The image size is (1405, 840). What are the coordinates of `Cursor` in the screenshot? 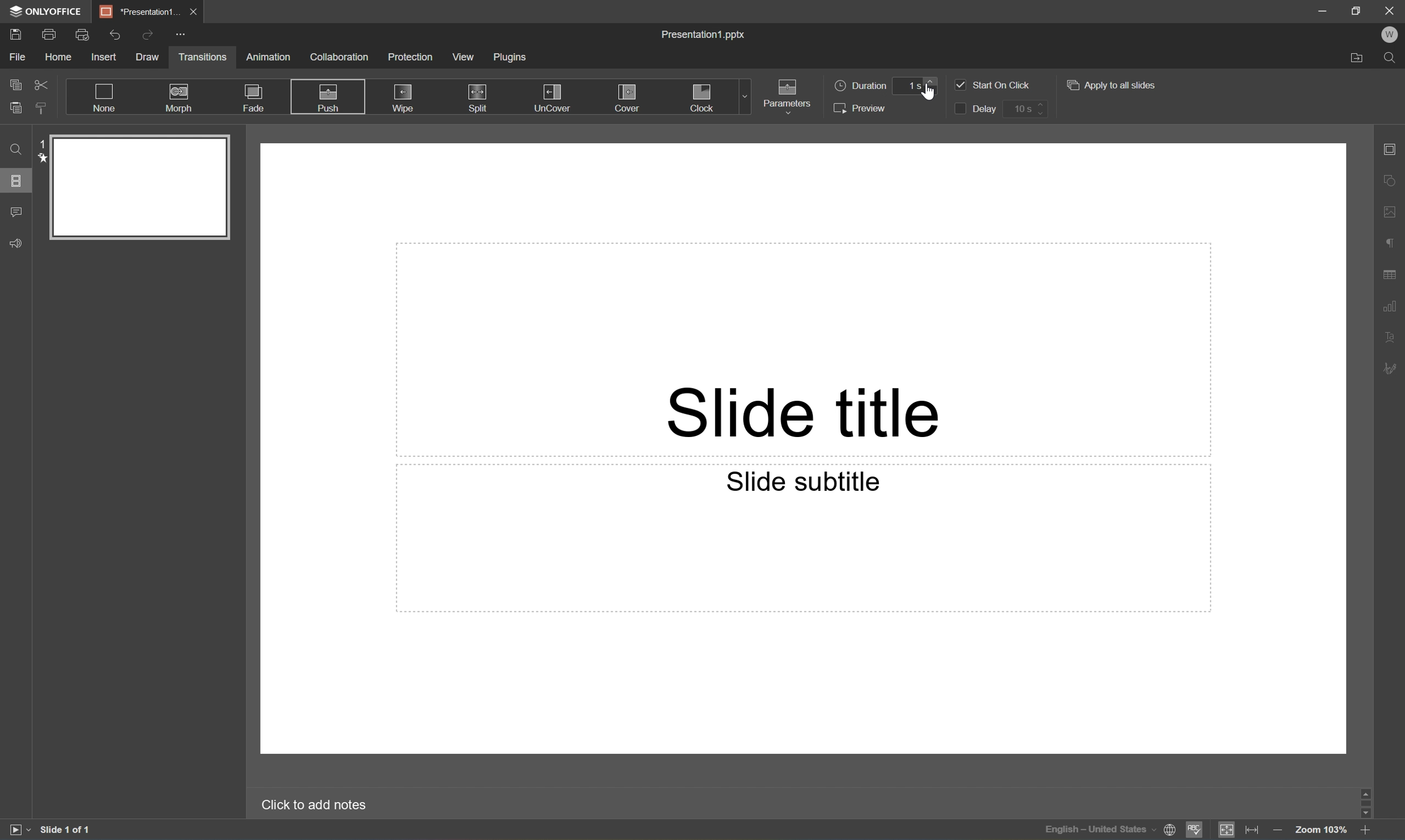 It's located at (929, 90).